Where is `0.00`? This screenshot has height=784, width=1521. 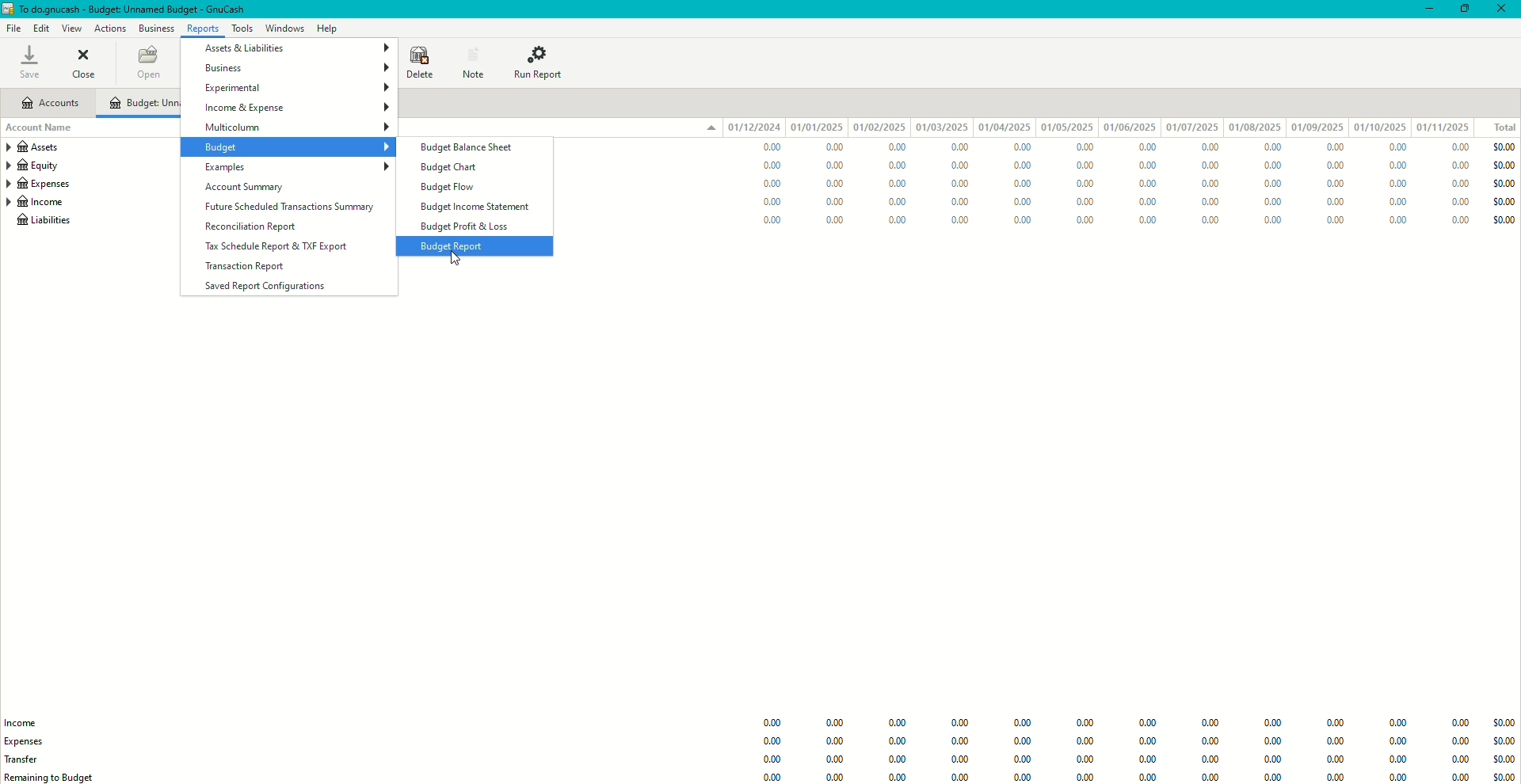
0.00 is located at coordinates (764, 184).